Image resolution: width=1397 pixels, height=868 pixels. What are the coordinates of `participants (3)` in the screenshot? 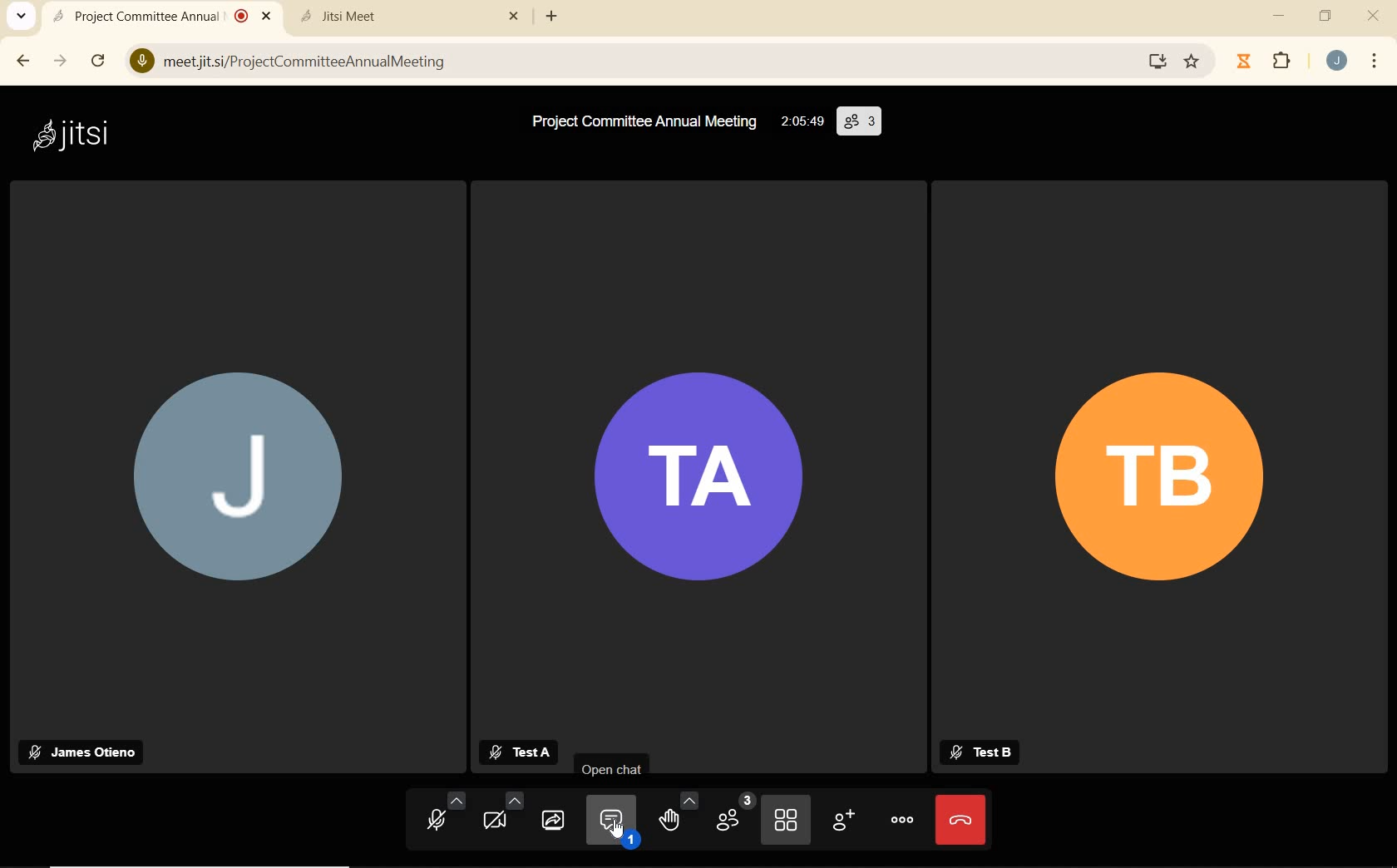 It's located at (735, 815).